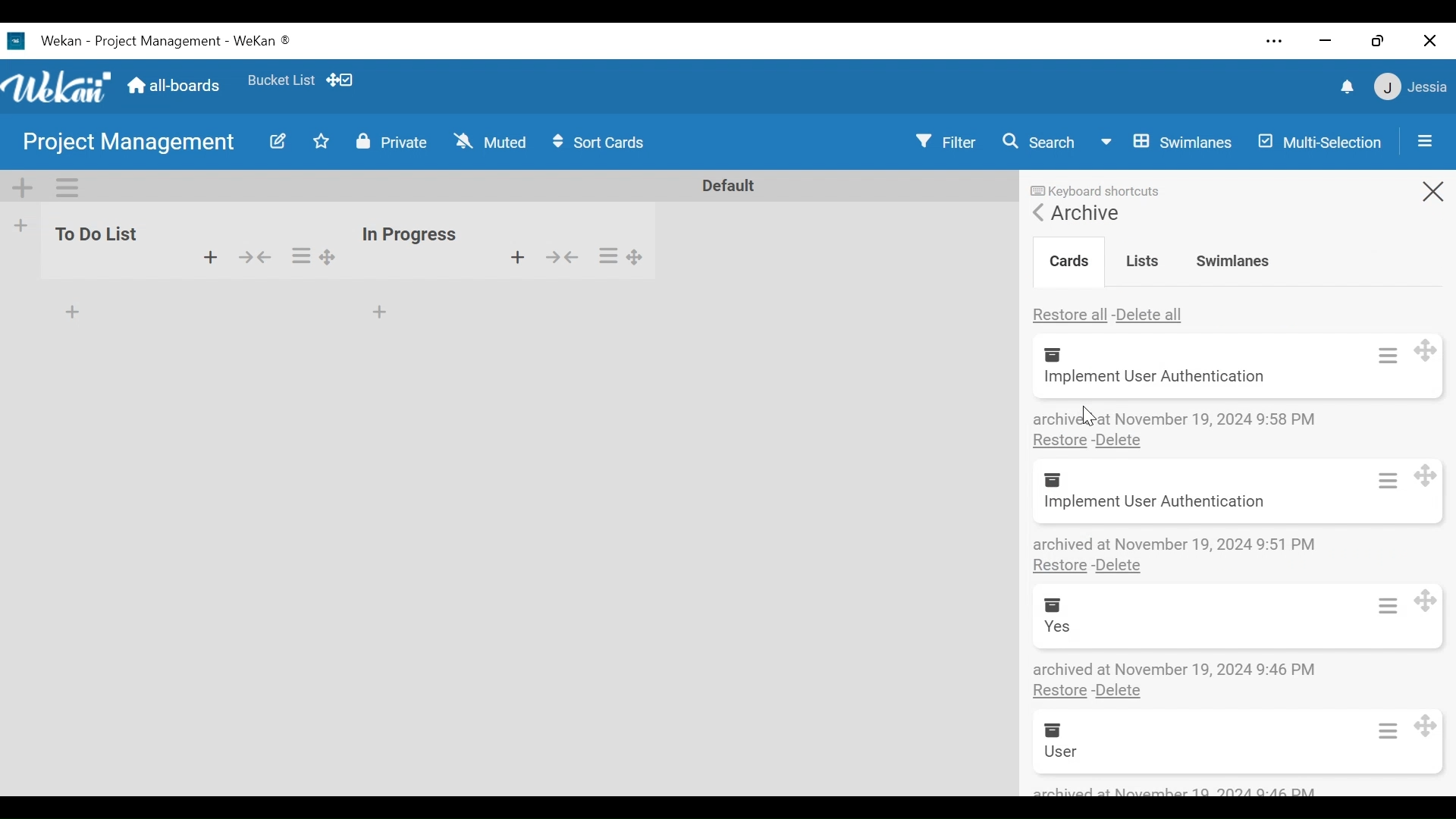 This screenshot has width=1456, height=819. Describe the element at coordinates (1191, 543) in the screenshot. I see `Archive details` at that location.